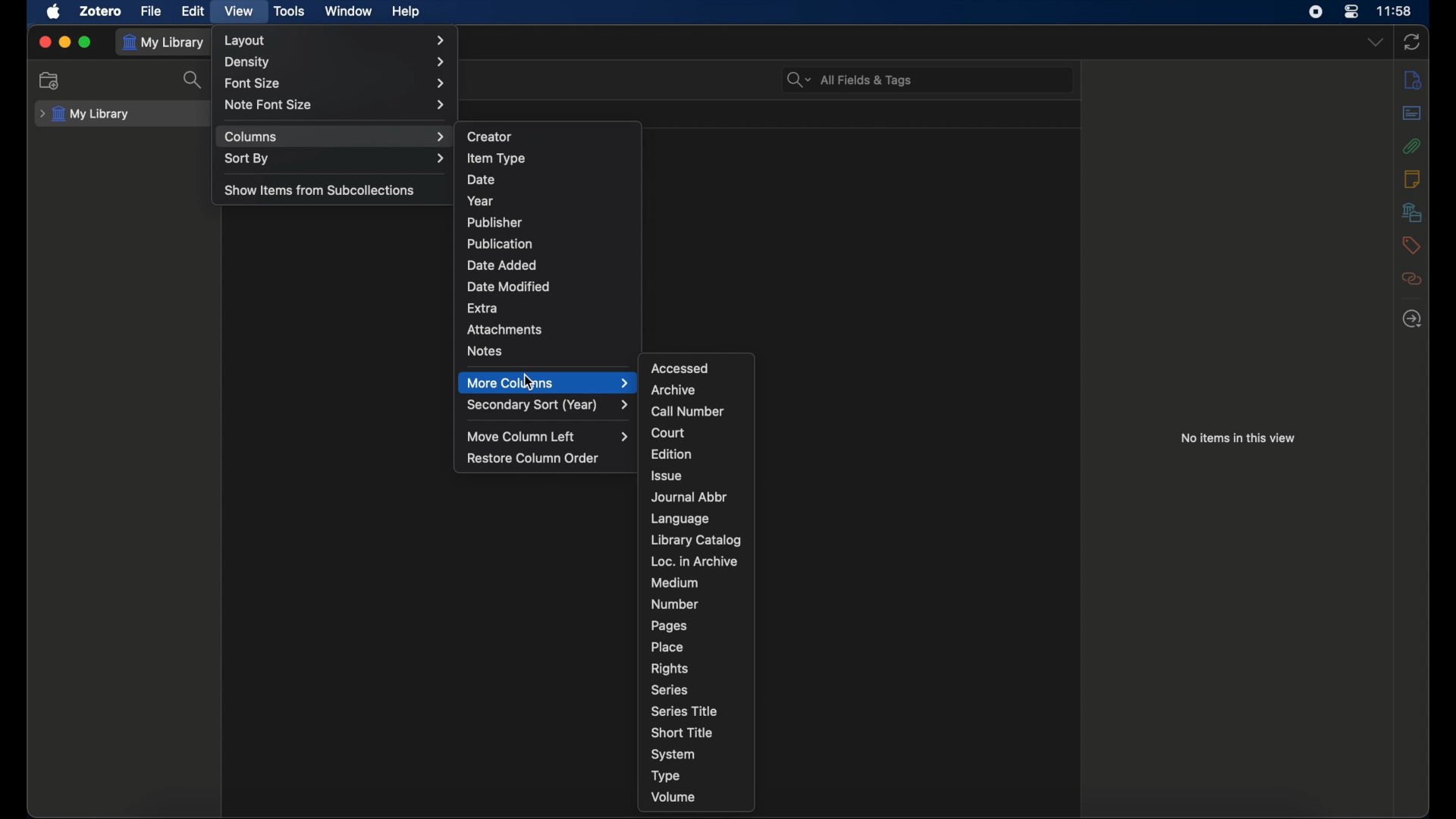 Image resolution: width=1456 pixels, height=819 pixels. What do you see at coordinates (851, 80) in the screenshot?
I see `all fields & tags` at bounding box center [851, 80].